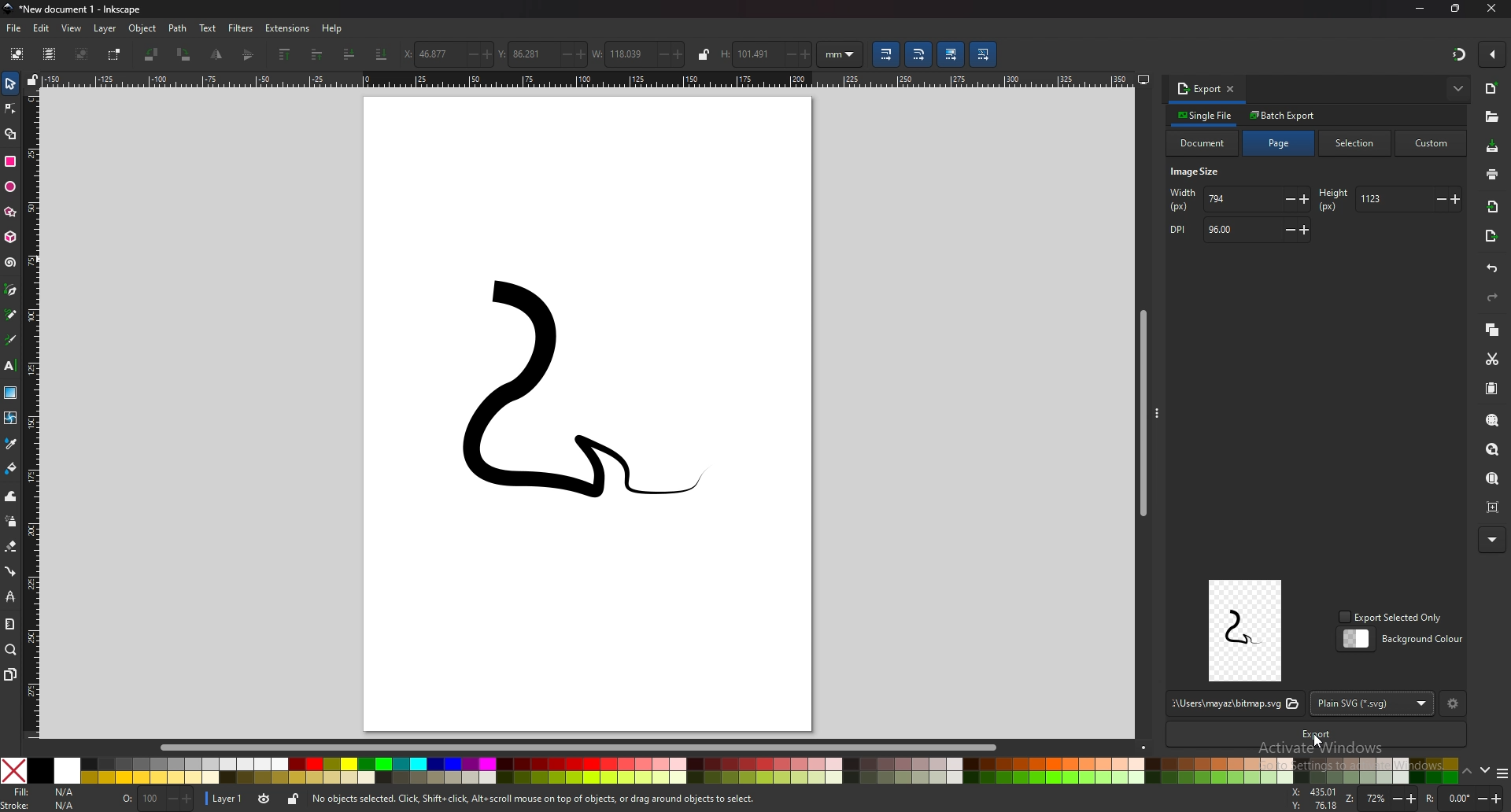 The width and height of the screenshot is (1511, 812). What do you see at coordinates (1493, 359) in the screenshot?
I see `cut` at bounding box center [1493, 359].